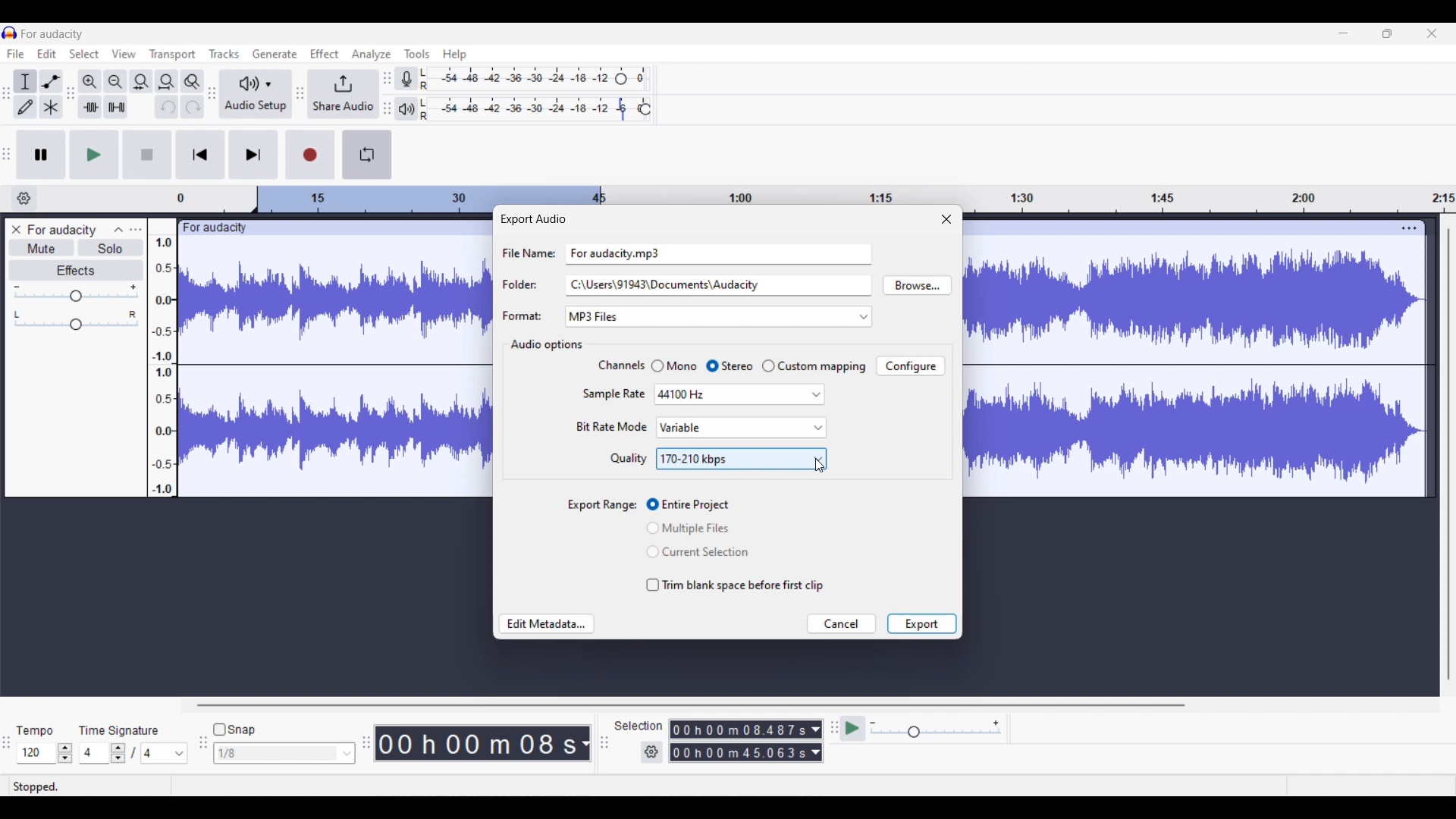  Describe the element at coordinates (815, 193) in the screenshot. I see `Scale to measure length of track` at that location.